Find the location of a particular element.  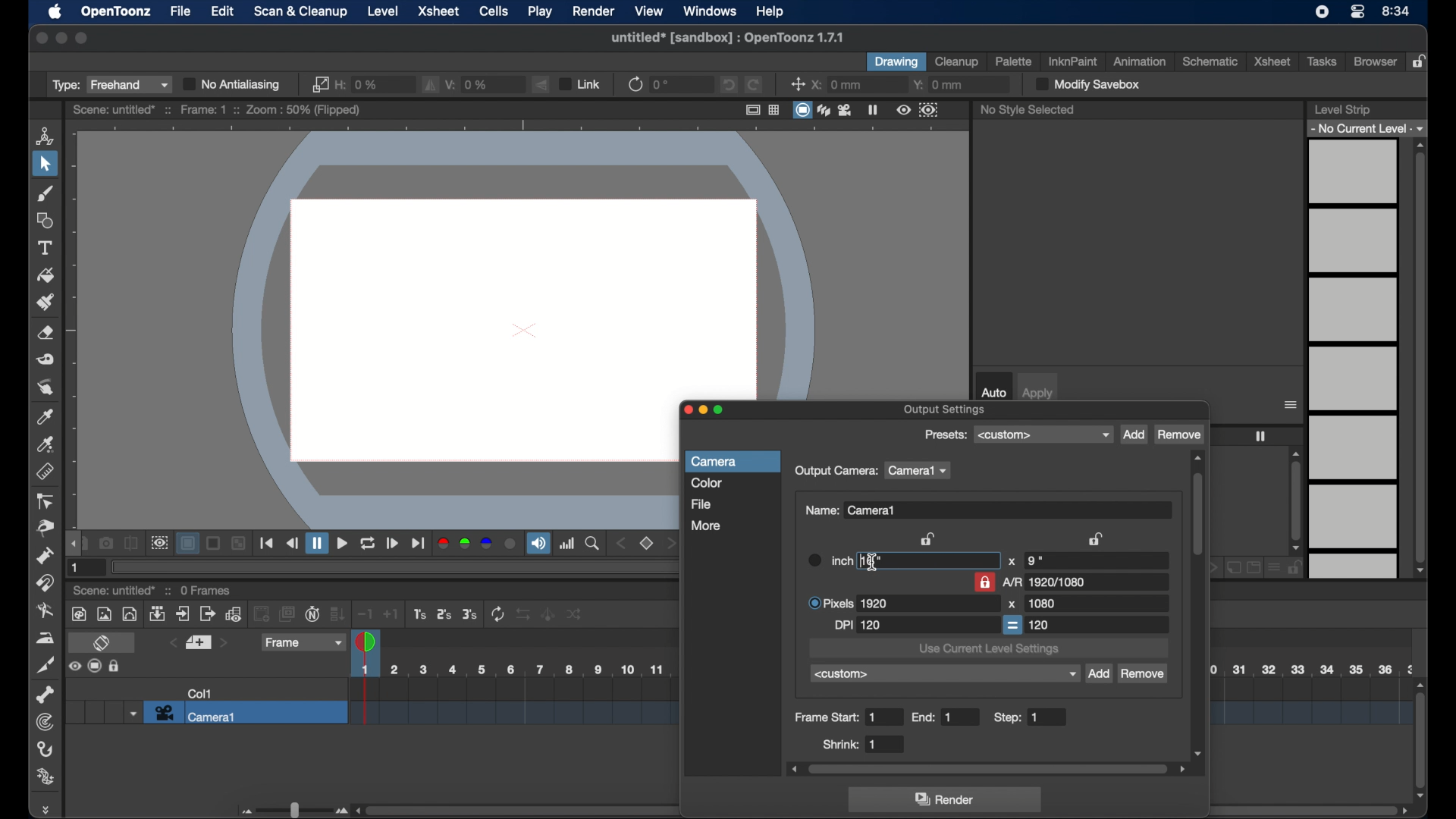

magnet tool is located at coordinates (46, 582).